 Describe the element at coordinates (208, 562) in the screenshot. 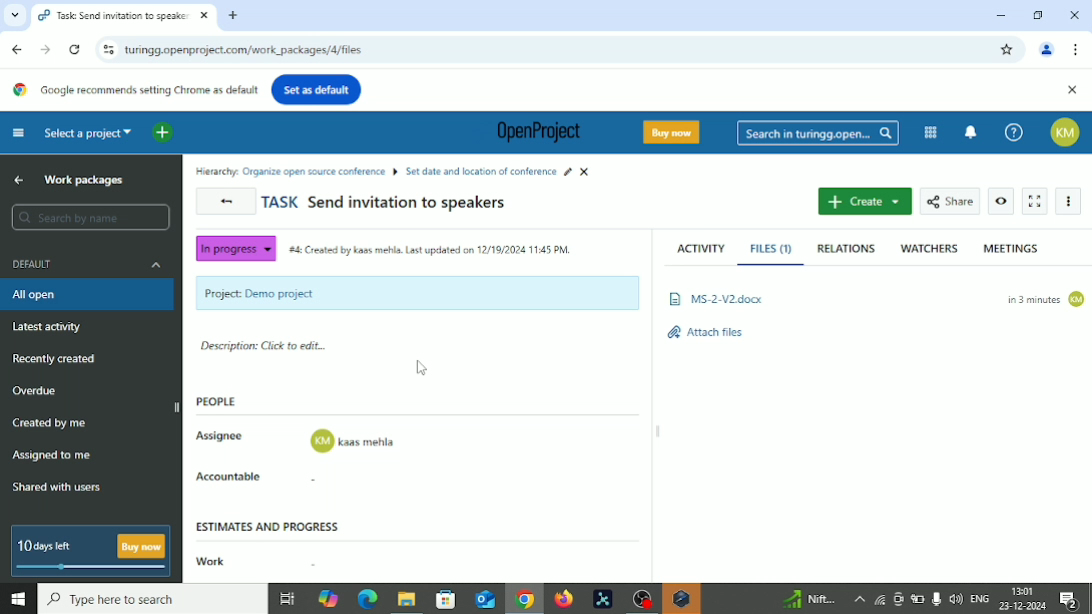

I see `Work` at that location.